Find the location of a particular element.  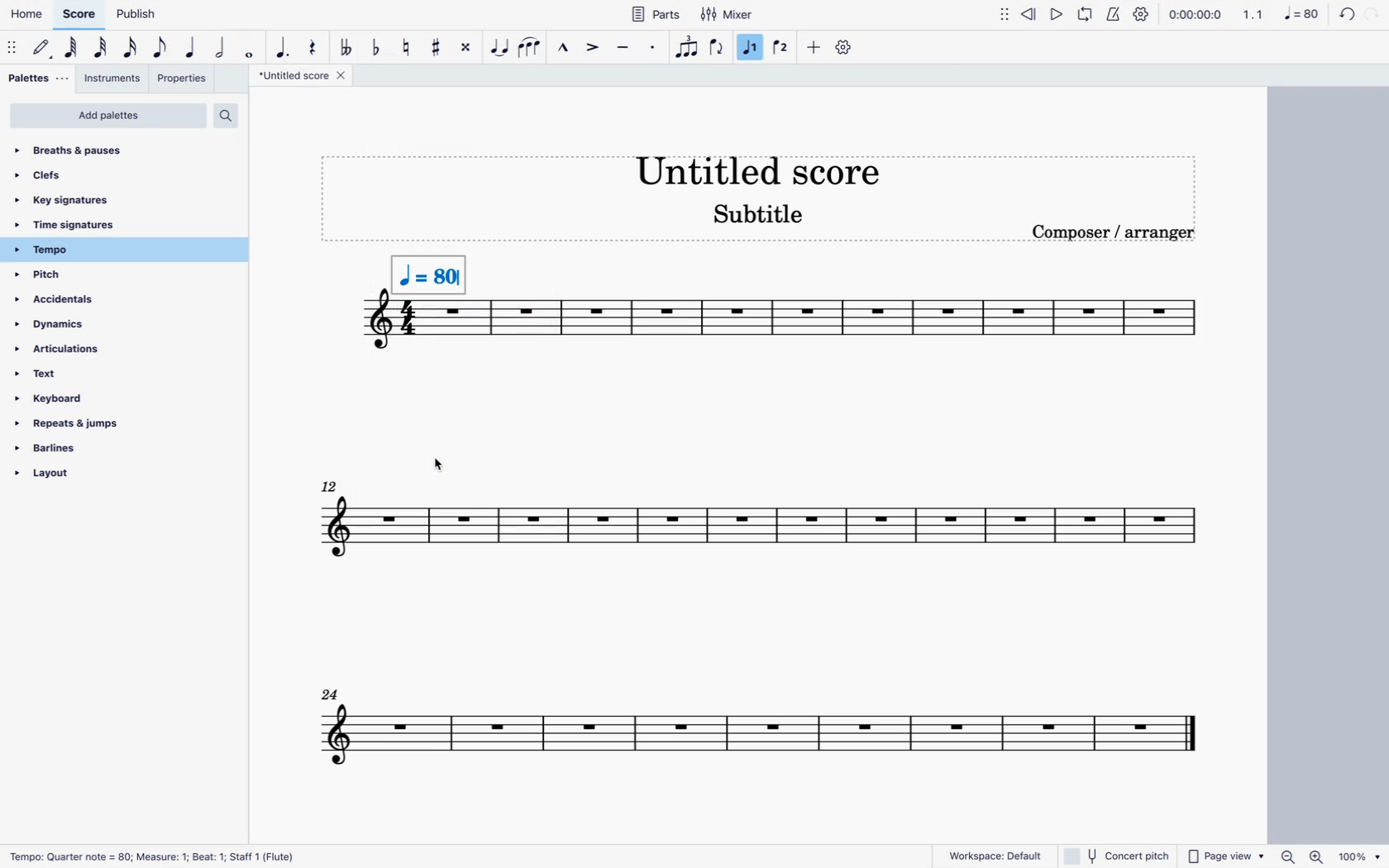

dynamics is located at coordinates (84, 326).